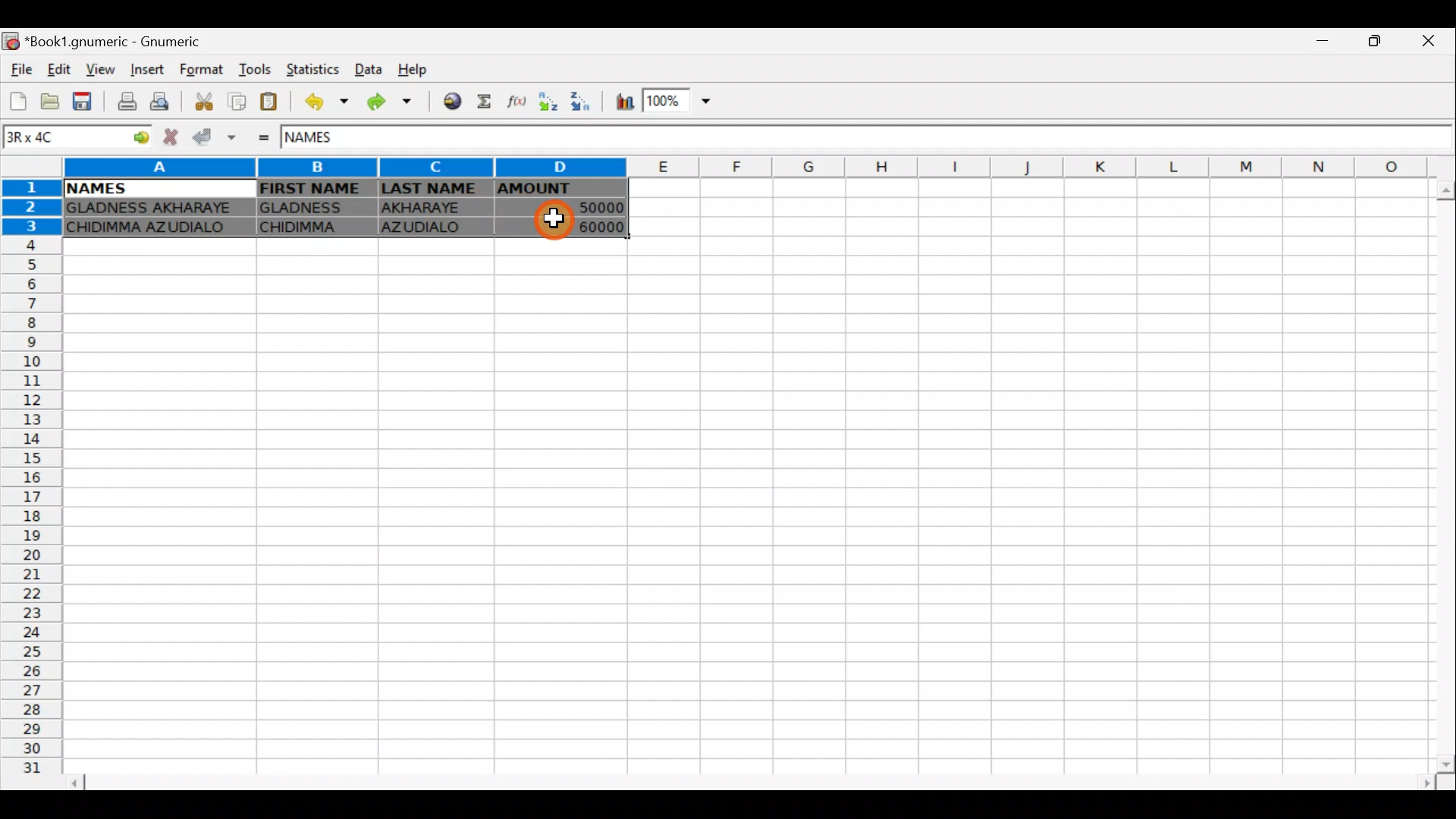 The image size is (1456, 819). I want to click on Cells, so click(737, 506).